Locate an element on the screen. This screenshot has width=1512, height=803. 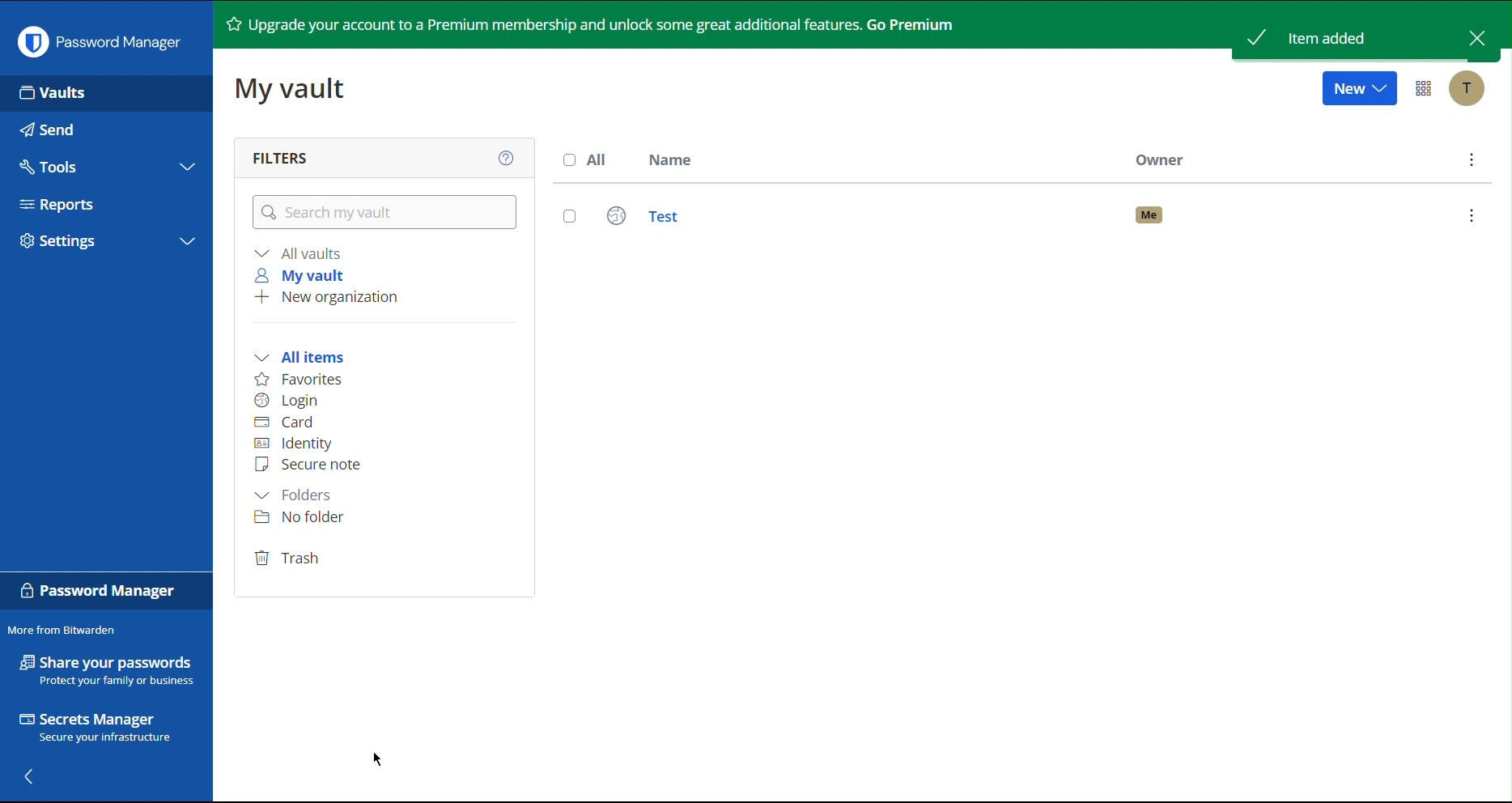
Identity is located at coordinates (291, 444).